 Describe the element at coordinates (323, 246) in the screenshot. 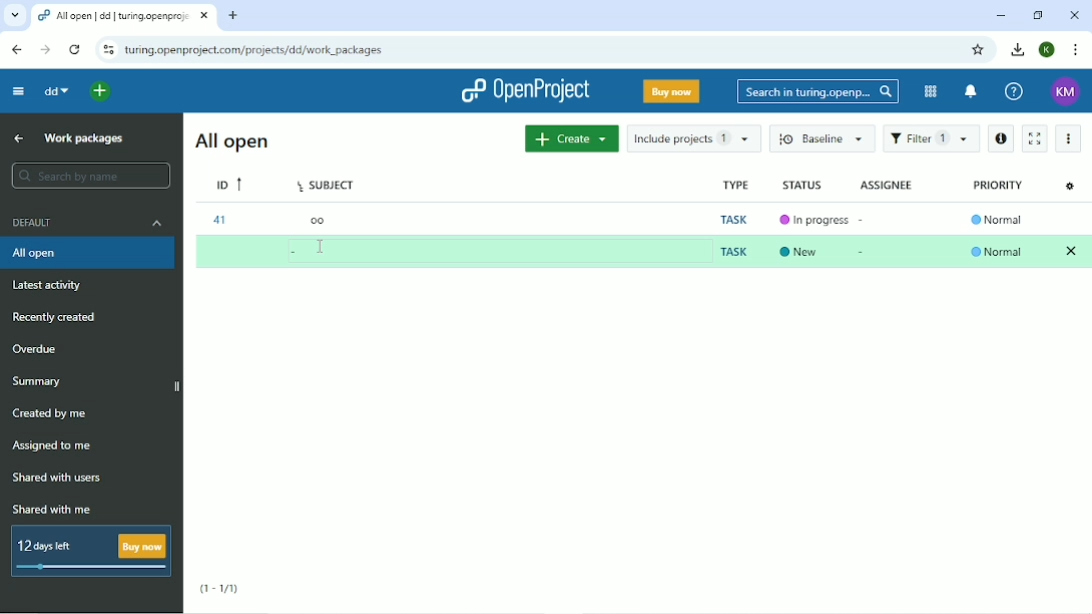

I see `Cursor` at that location.